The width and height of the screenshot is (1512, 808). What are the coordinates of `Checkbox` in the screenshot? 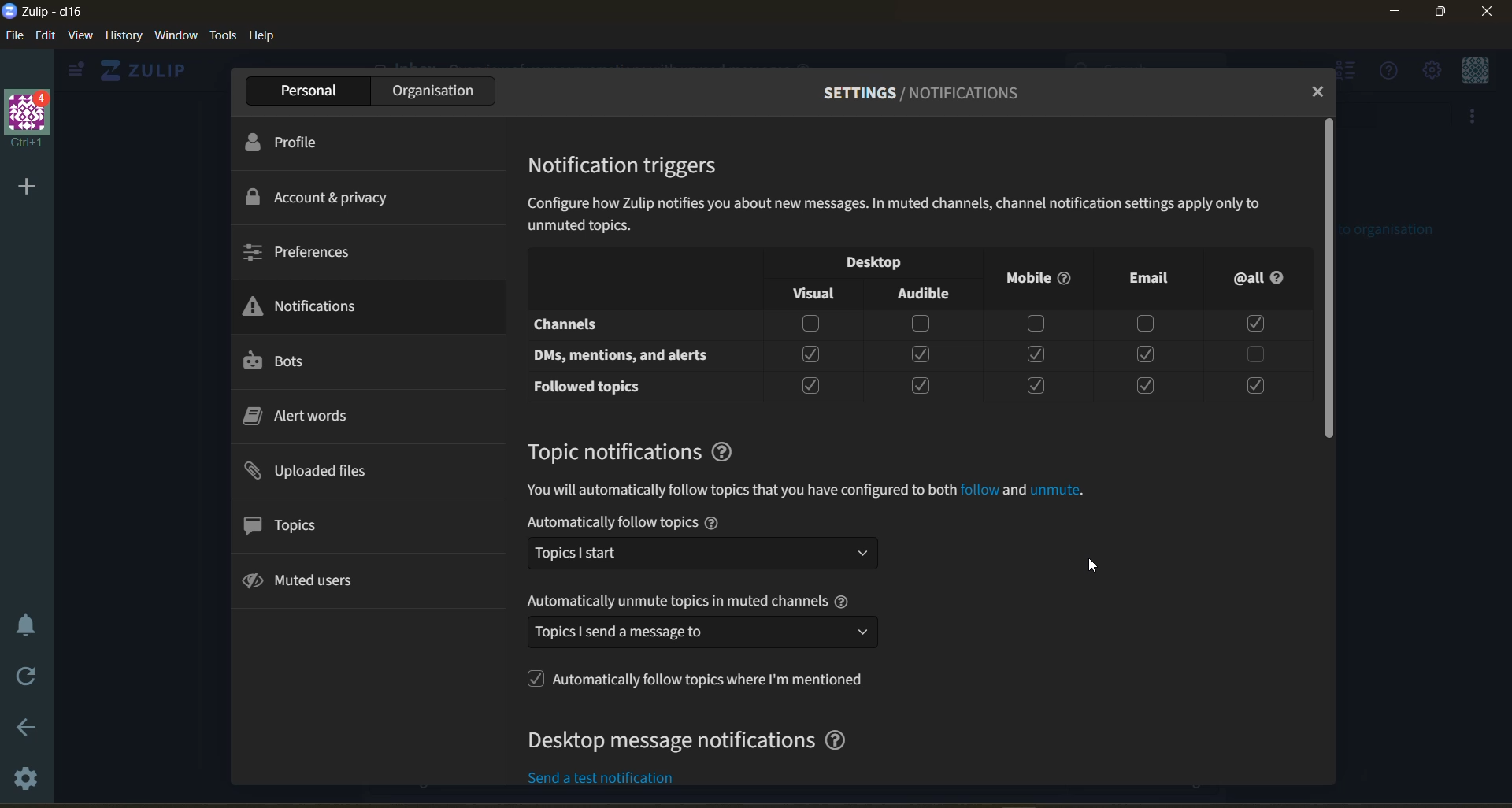 It's located at (1256, 387).